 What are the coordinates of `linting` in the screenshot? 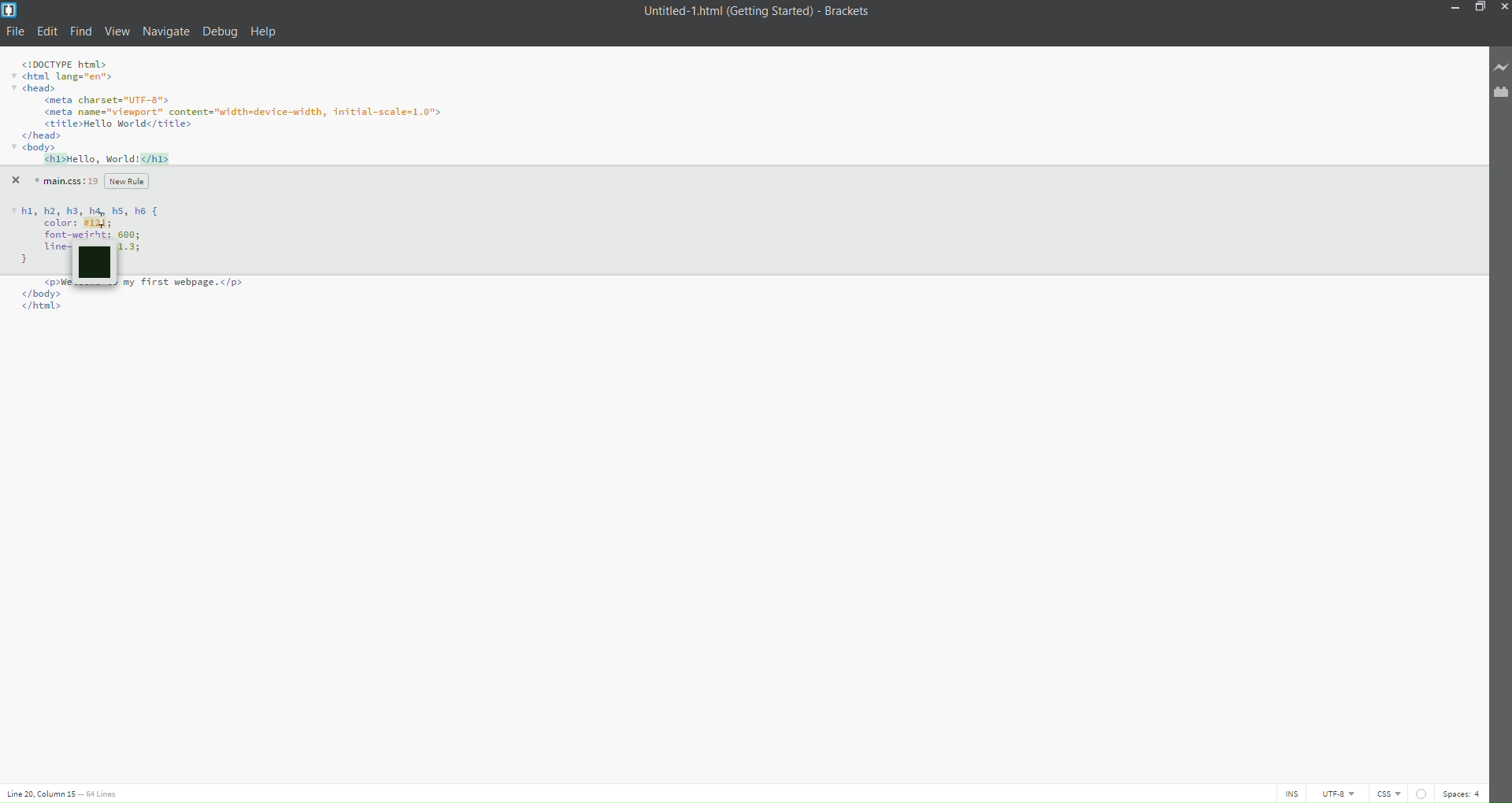 It's located at (1419, 791).